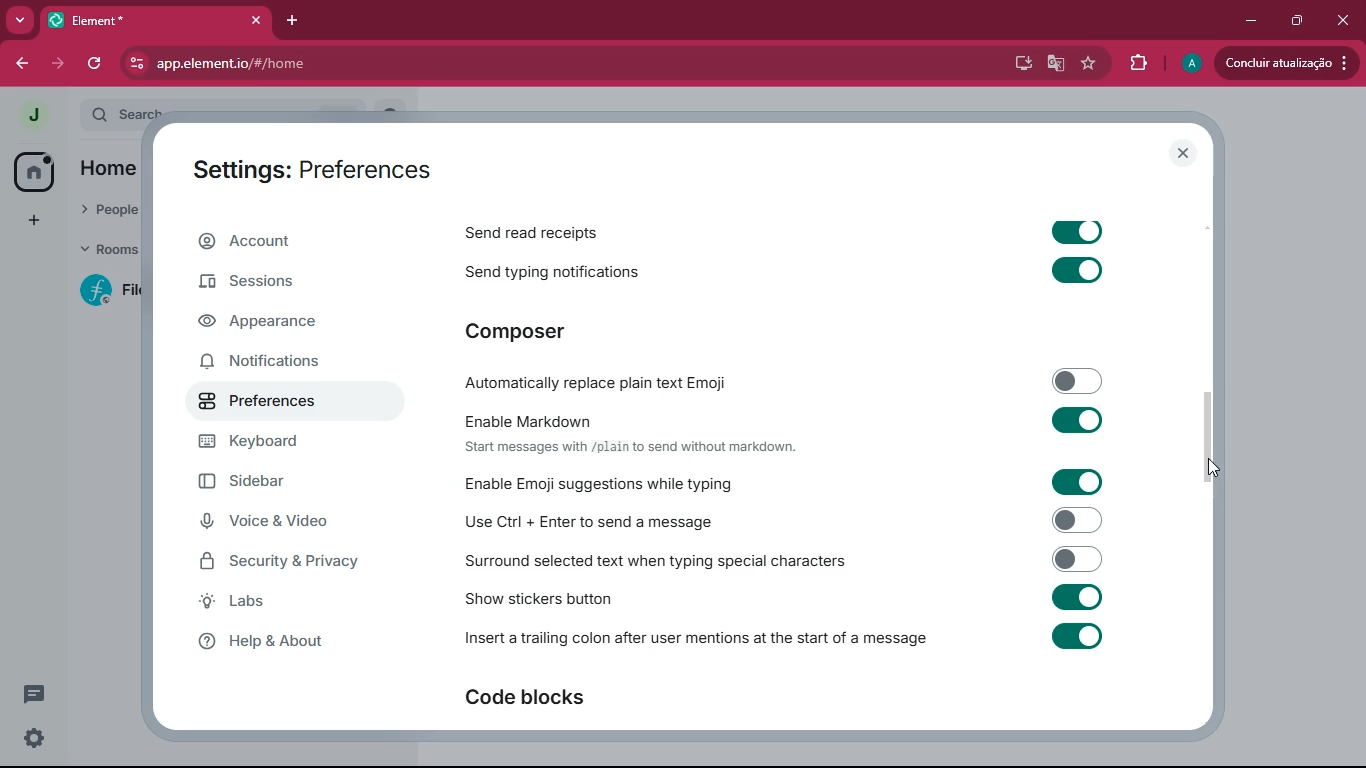  I want to click on conduir atualizacao, so click(1284, 64).